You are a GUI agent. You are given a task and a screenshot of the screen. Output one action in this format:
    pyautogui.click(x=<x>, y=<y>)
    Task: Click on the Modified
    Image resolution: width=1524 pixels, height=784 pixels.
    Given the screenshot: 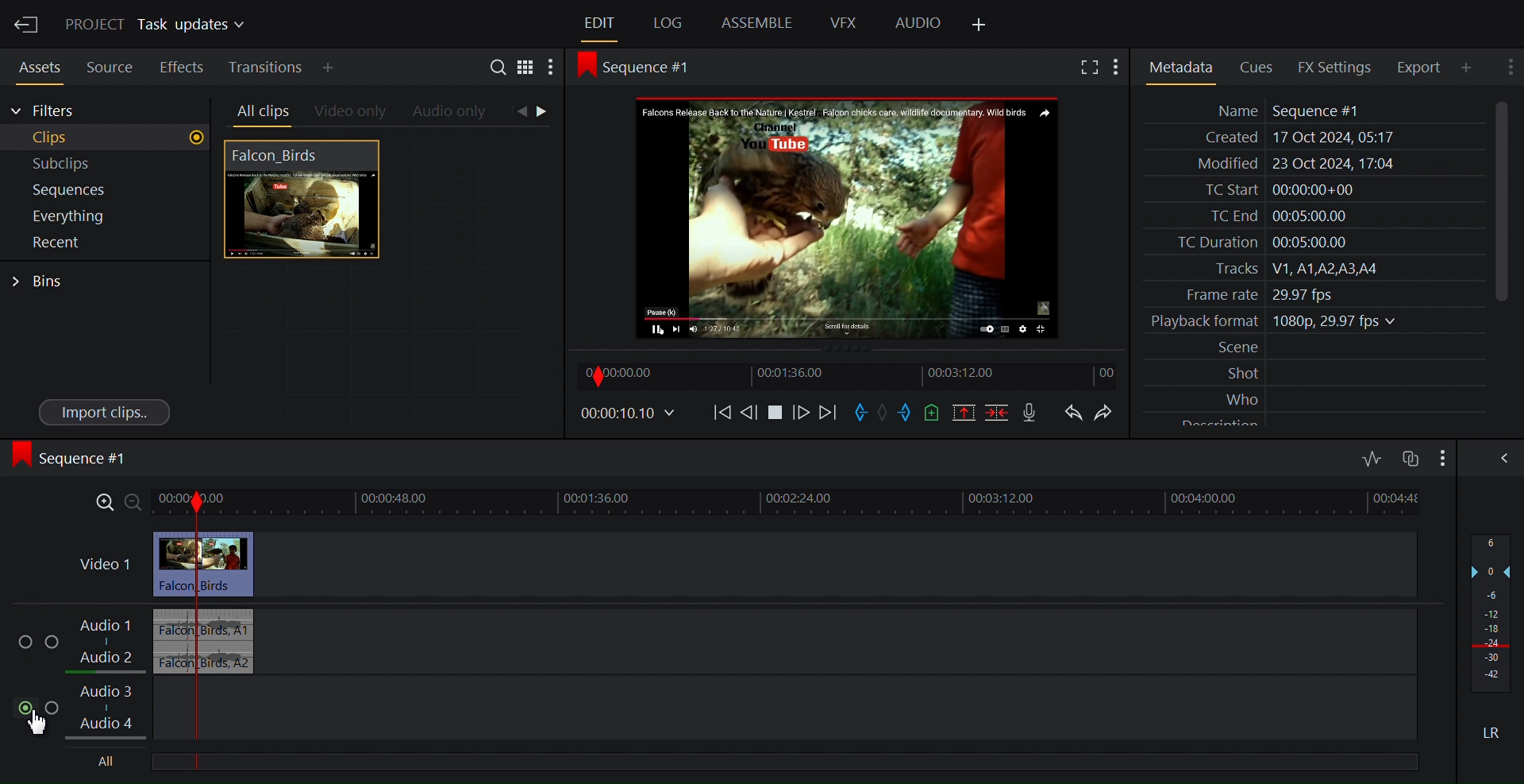 What is the action you would take?
    pyautogui.click(x=1310, y=165)
    